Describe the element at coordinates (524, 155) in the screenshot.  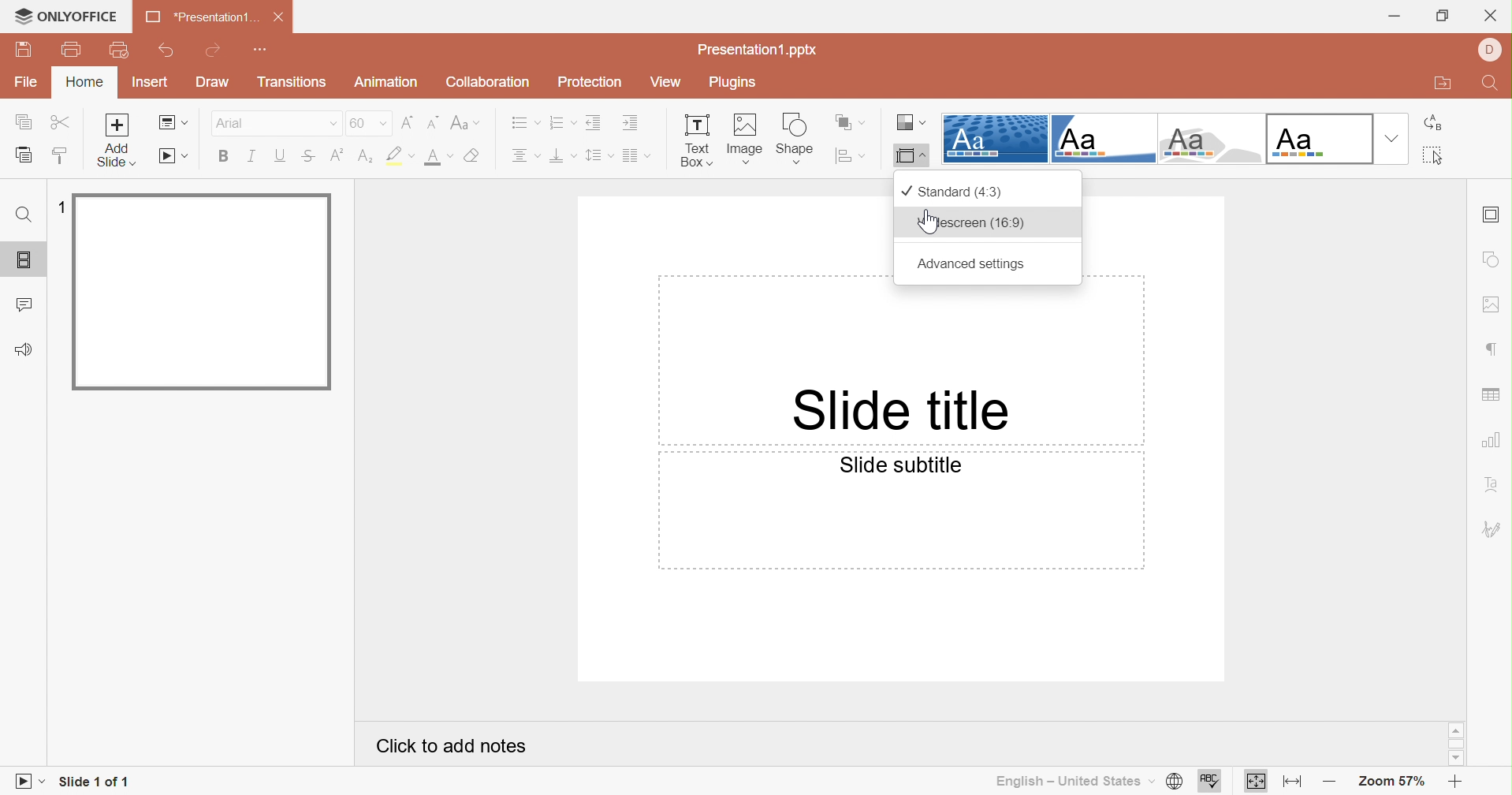
I see `Horizontal align` at that location.